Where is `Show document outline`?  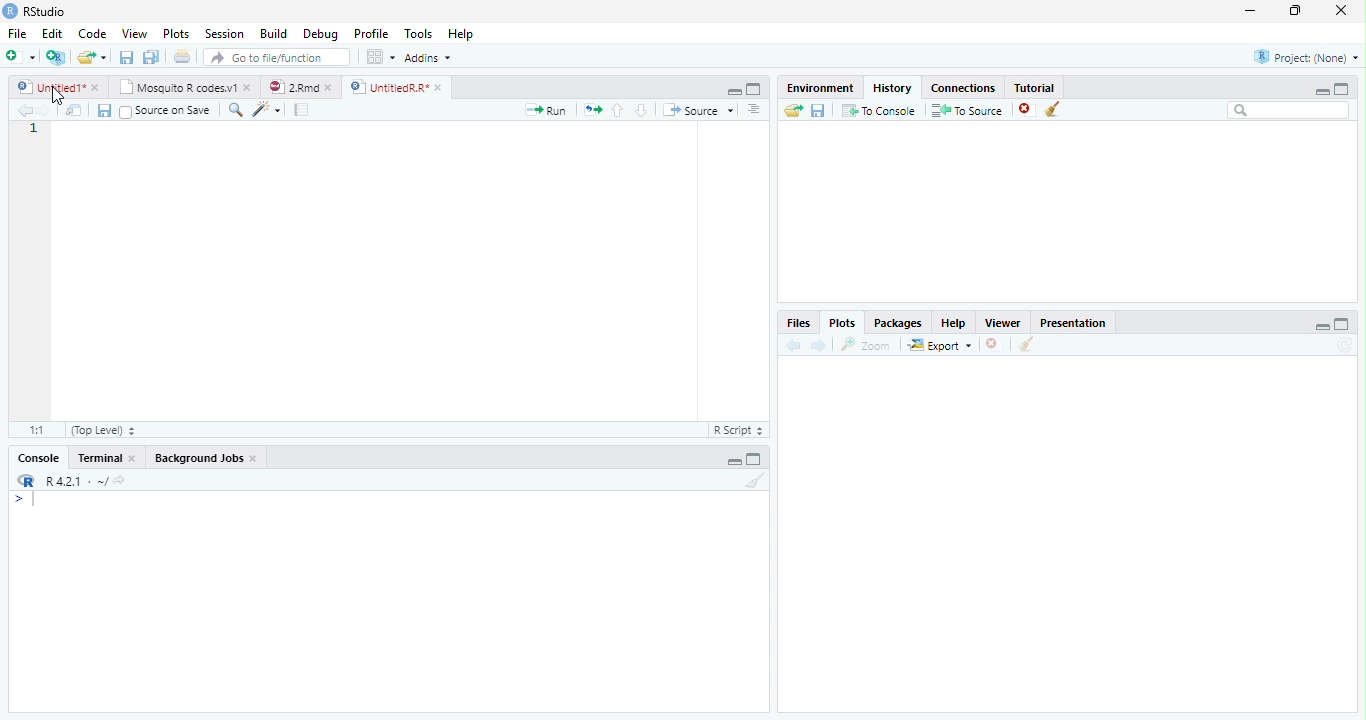
Show document outline is located at coordinates (753, 108).